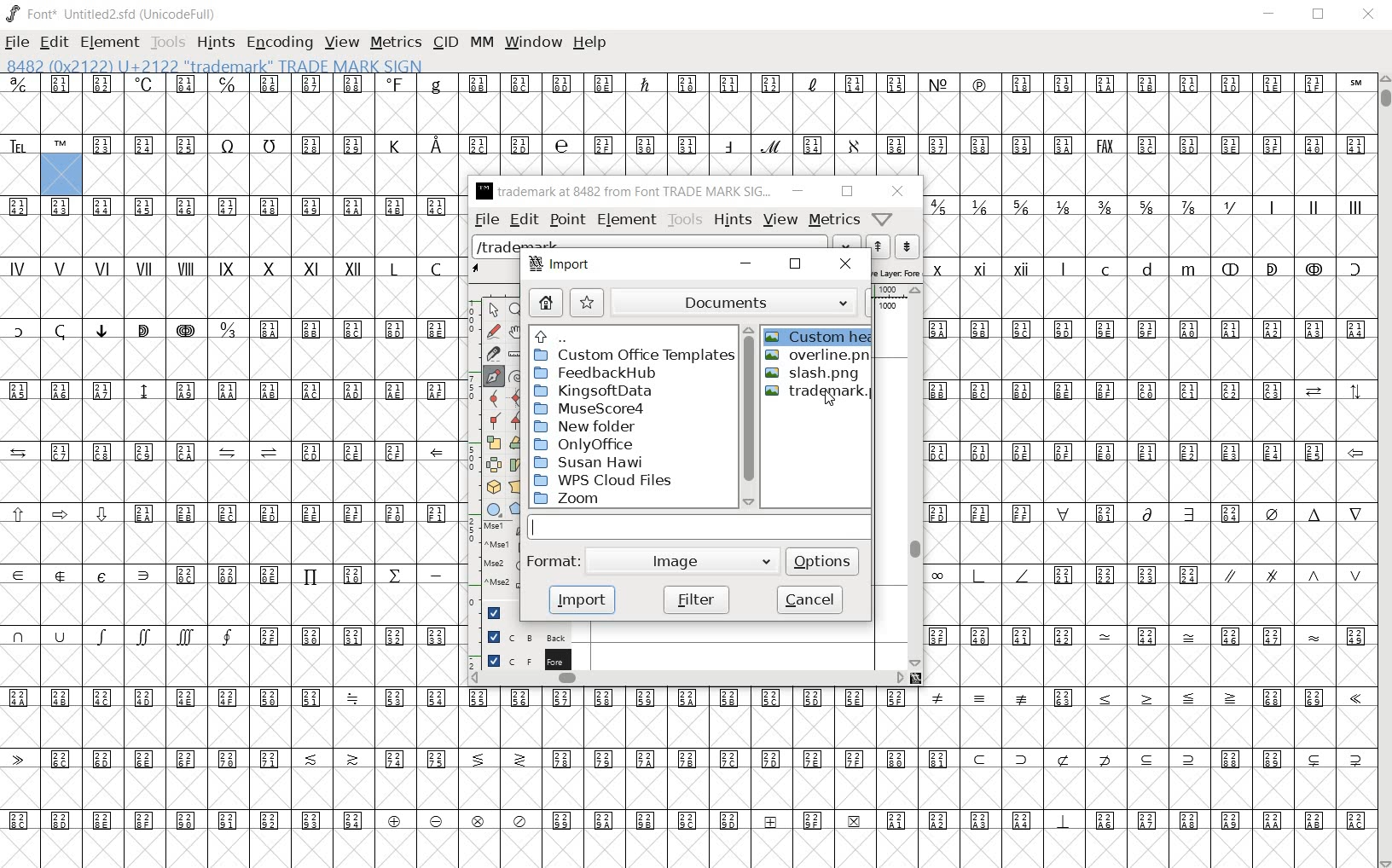  What do you see at coordinates (589, 335) in the screenshot?
I see `up directories` at bounding box center [589, 335].